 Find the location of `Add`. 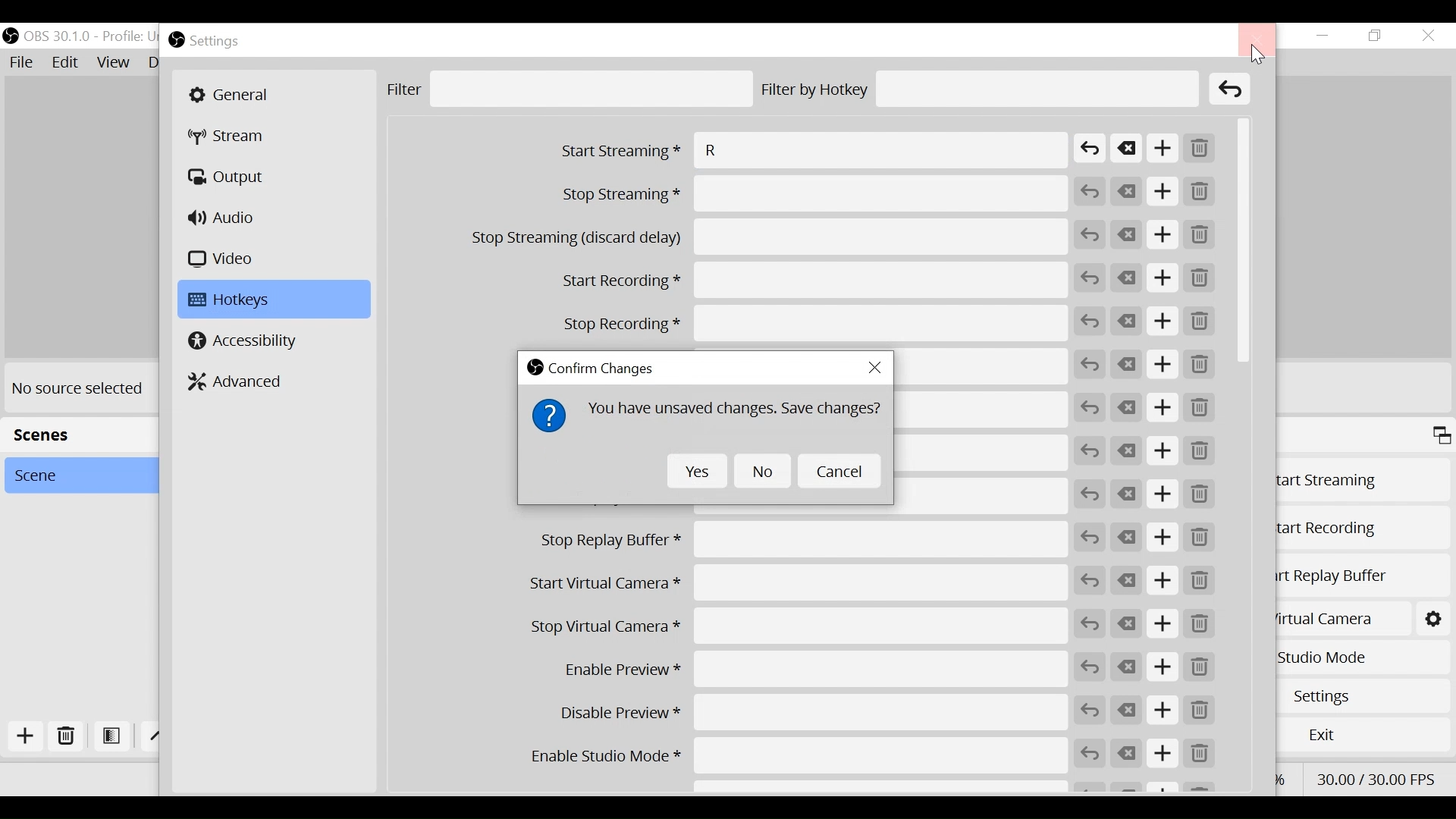

Add is located at coordinates (1163, 322).